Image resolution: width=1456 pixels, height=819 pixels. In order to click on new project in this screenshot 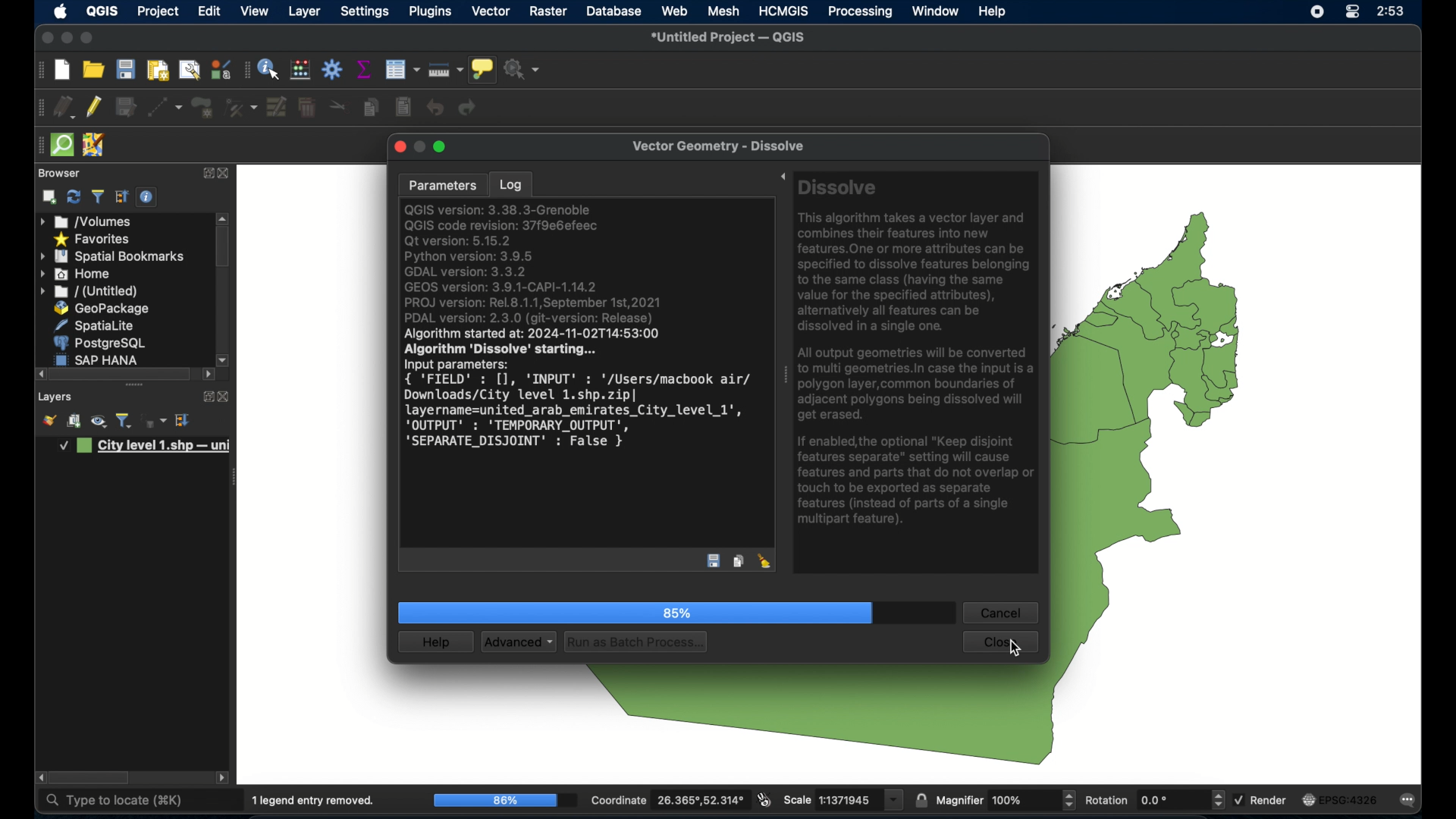, I will do `click(63, 71)`.